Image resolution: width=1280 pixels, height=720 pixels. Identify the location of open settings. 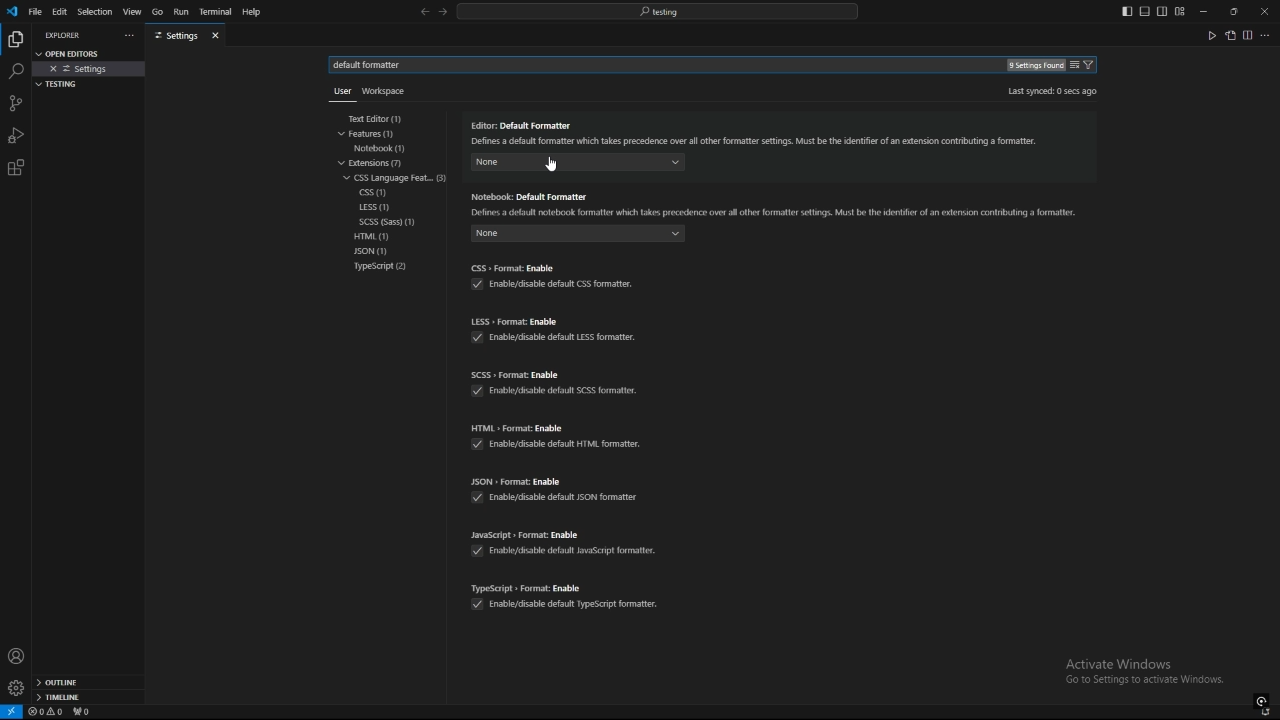
(74, 52).